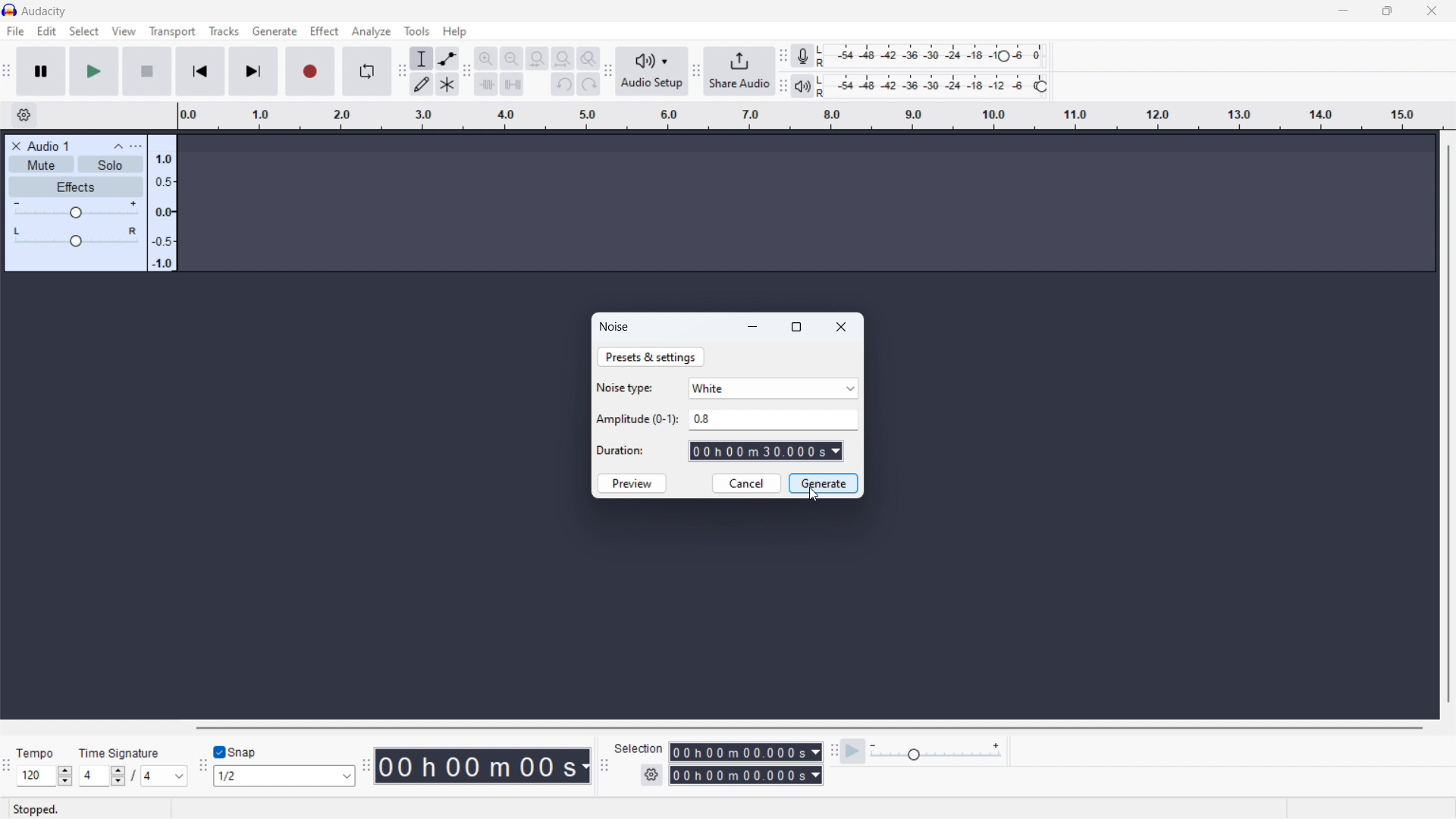 This screenshot has width=1456, height=819. What do you see at coordinates (325, 31) in the screenshot?
I see `effect` at bounding box center [325, 31].